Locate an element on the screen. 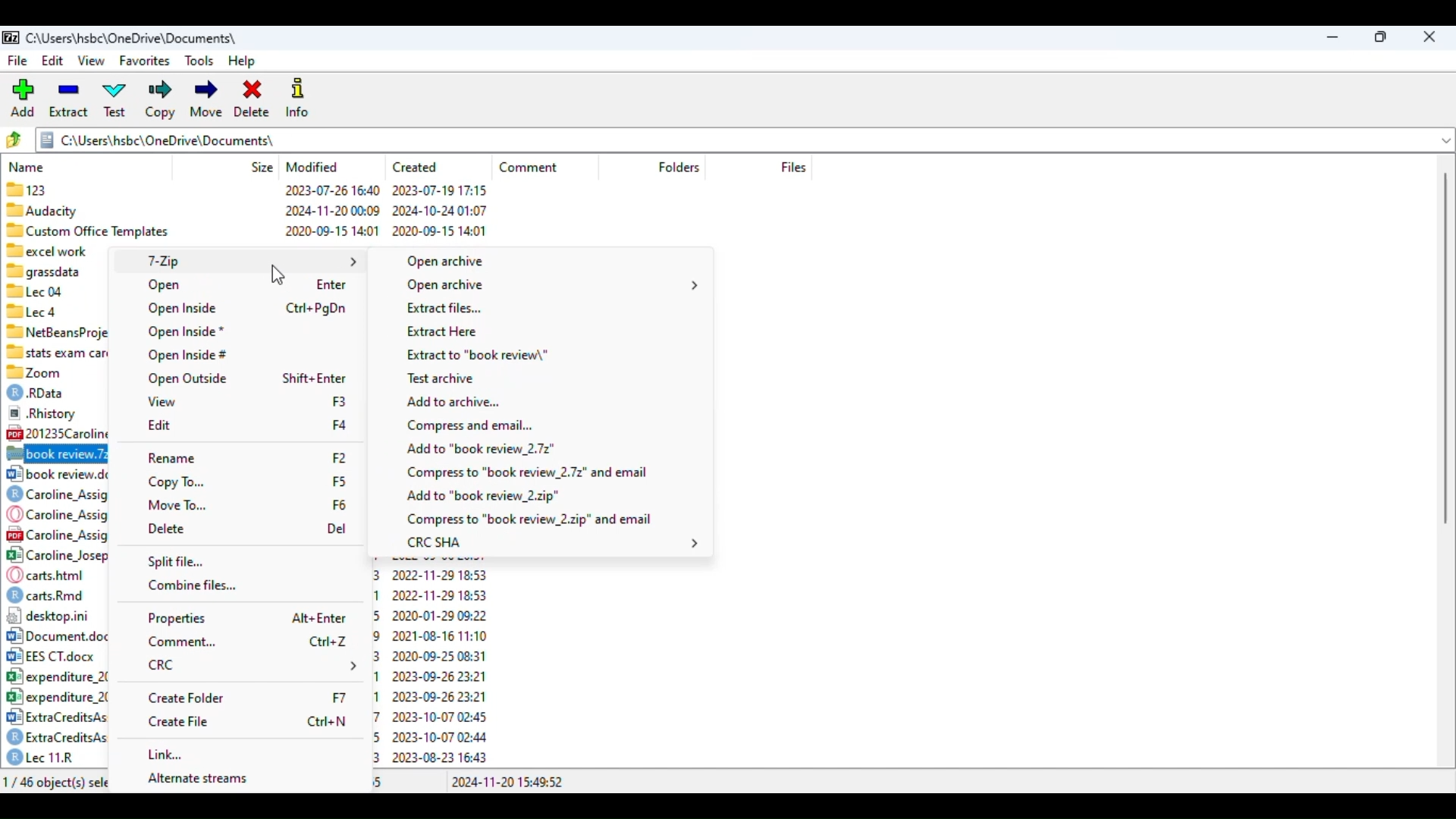 This screenshot has height=819, width=1456. shortcut for properties is located at coordinates (319, 619).